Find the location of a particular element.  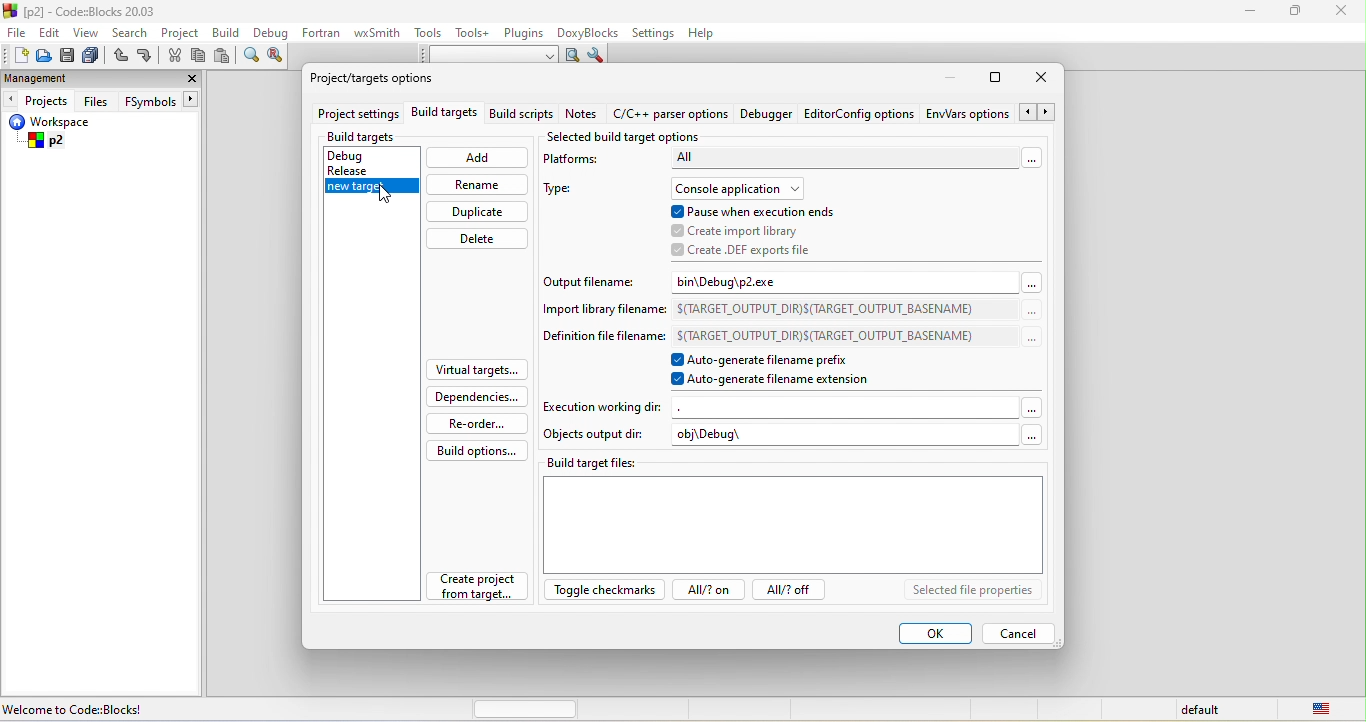

create import library is located at coordinates (738, 229).